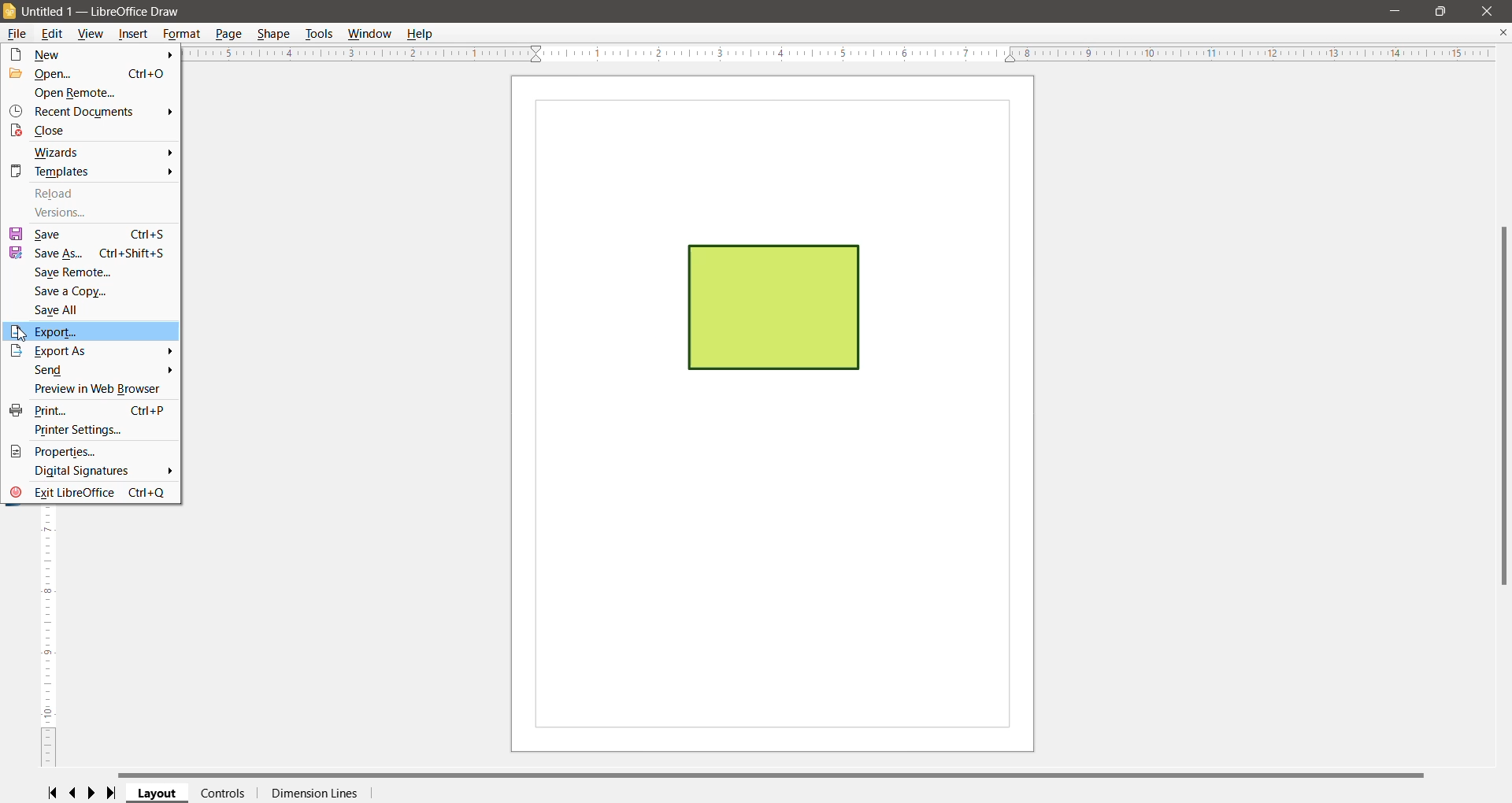  I want to click on Properties, so click(59, 451).